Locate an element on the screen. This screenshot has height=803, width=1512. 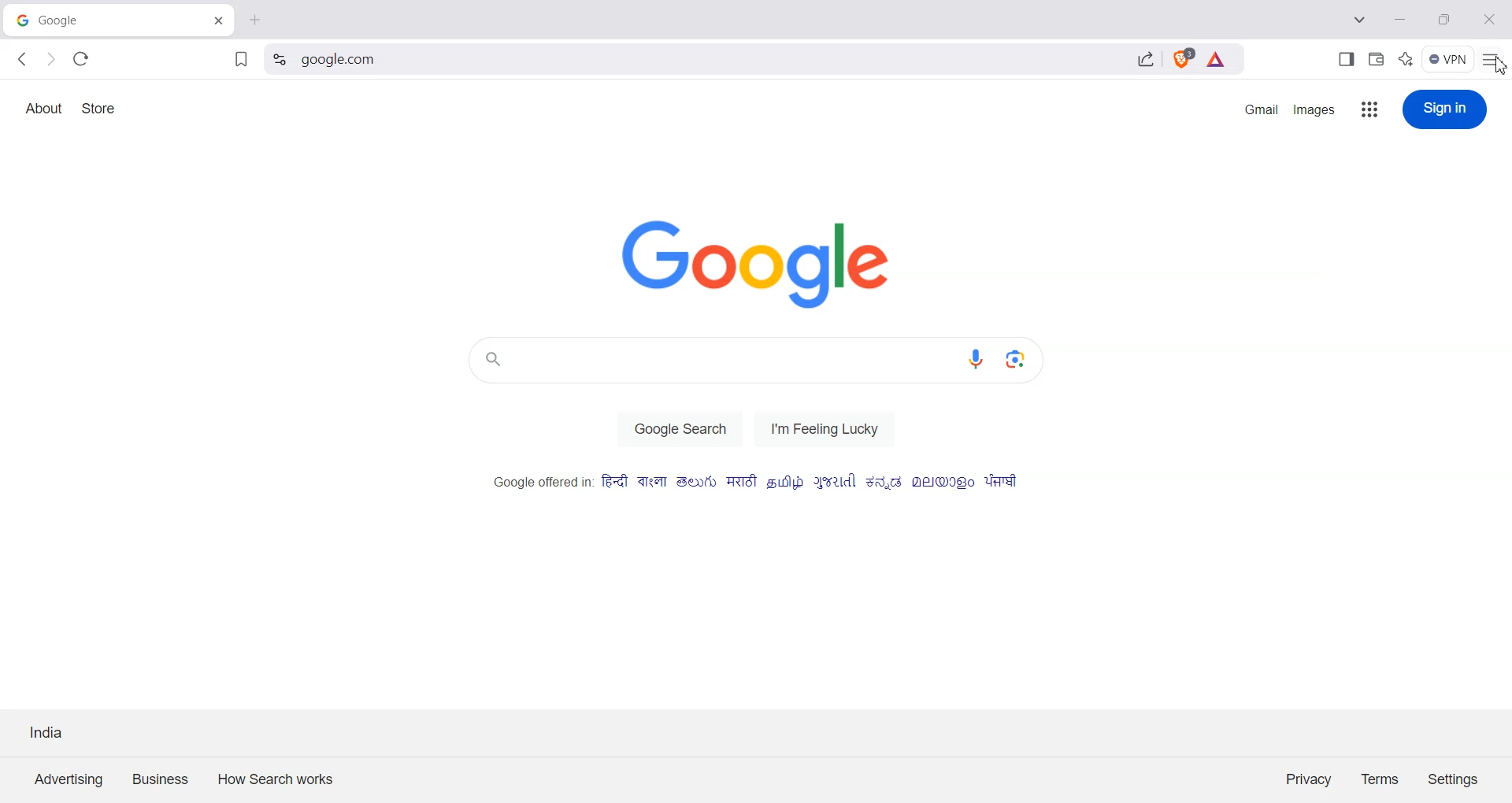
Search bar is located at coordinates (710, 360).